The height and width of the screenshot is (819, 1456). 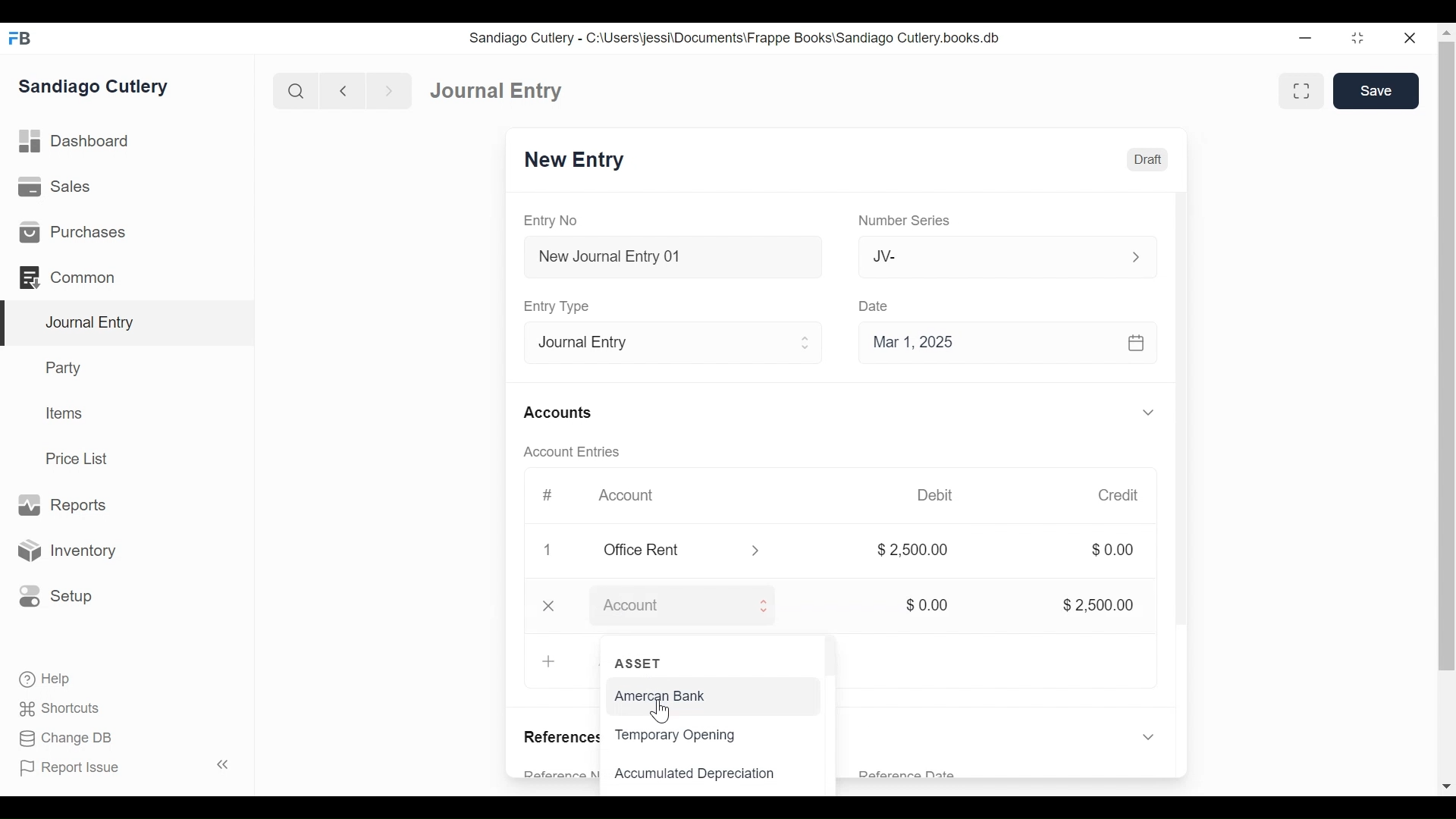 What do you see at coordinates (1122, 551) in the screenshot?
I see `$0.00` at bounding box center [1122, 551].